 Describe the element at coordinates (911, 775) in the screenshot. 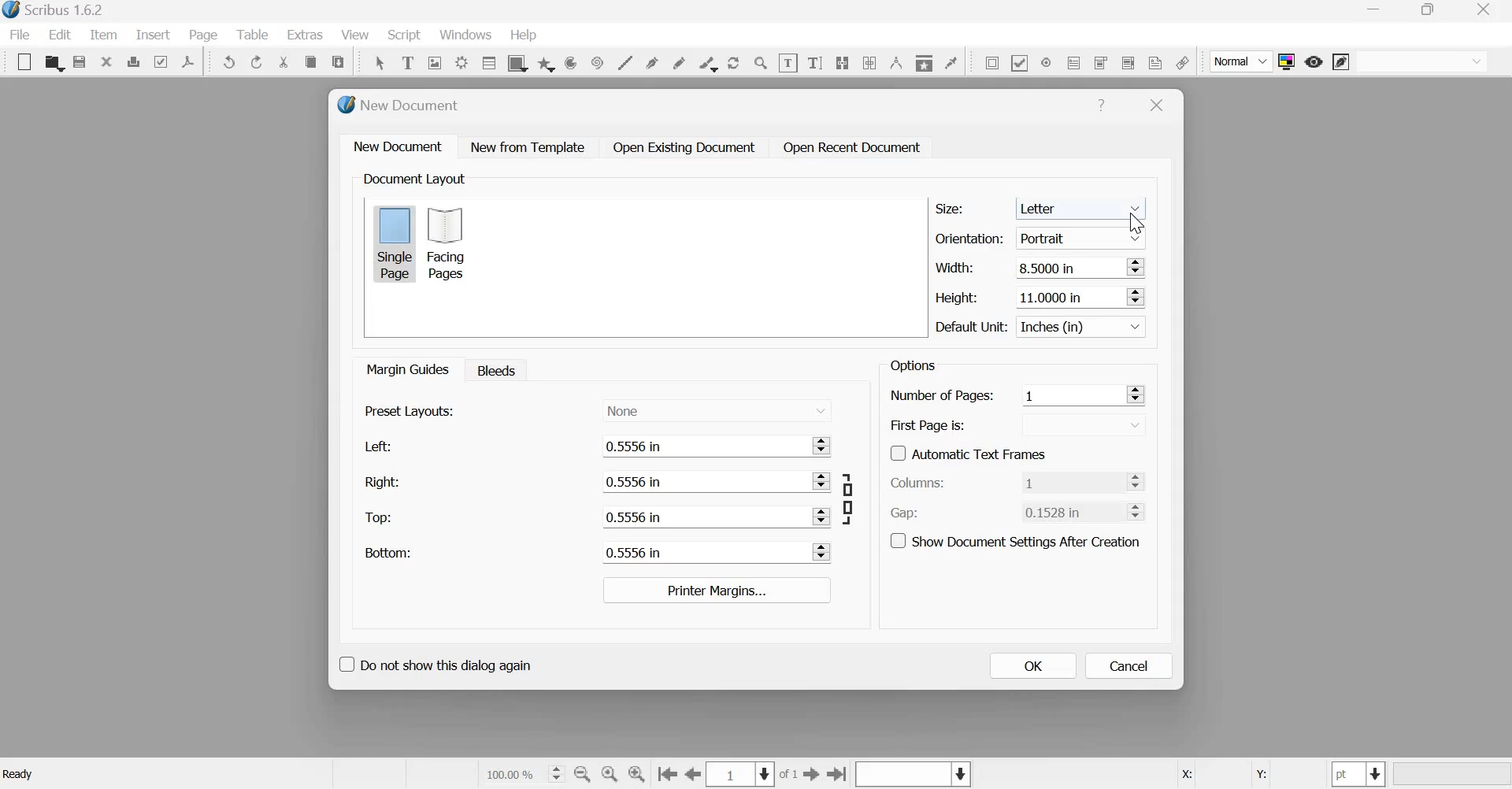

I see `Select the current layer` at that location.